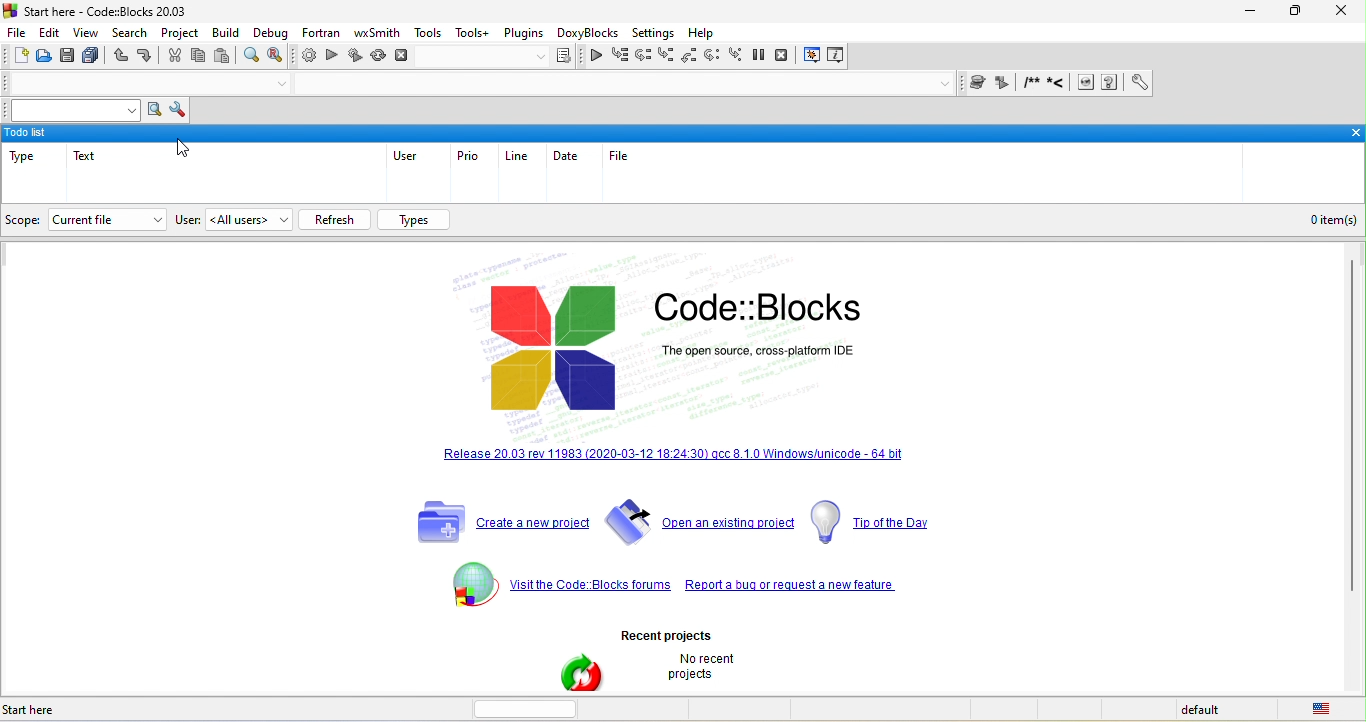 Image resolution: width=1366 pixels, height=722 pixels. I want to click on floating panel docked, so click(683, 132).